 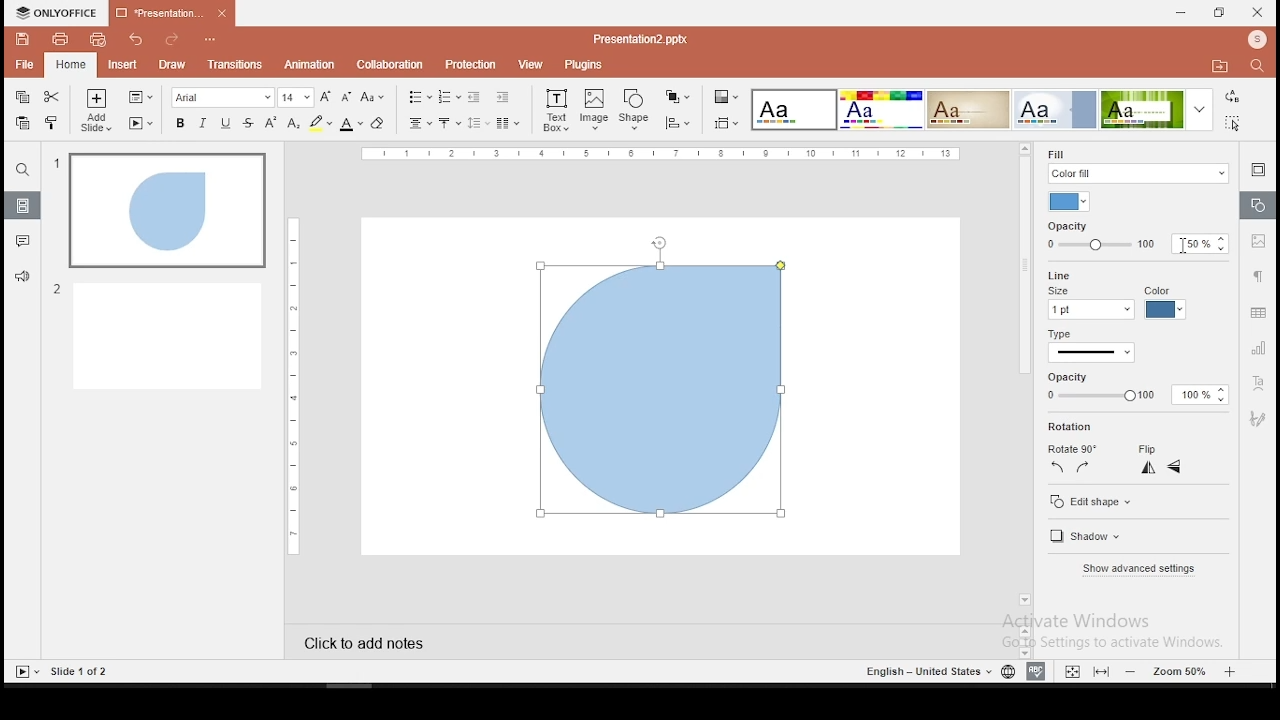 What do you see at coordinates (1256, 206) in the screenshot?
I see `shape settings` at bounding box center [1256, 206].